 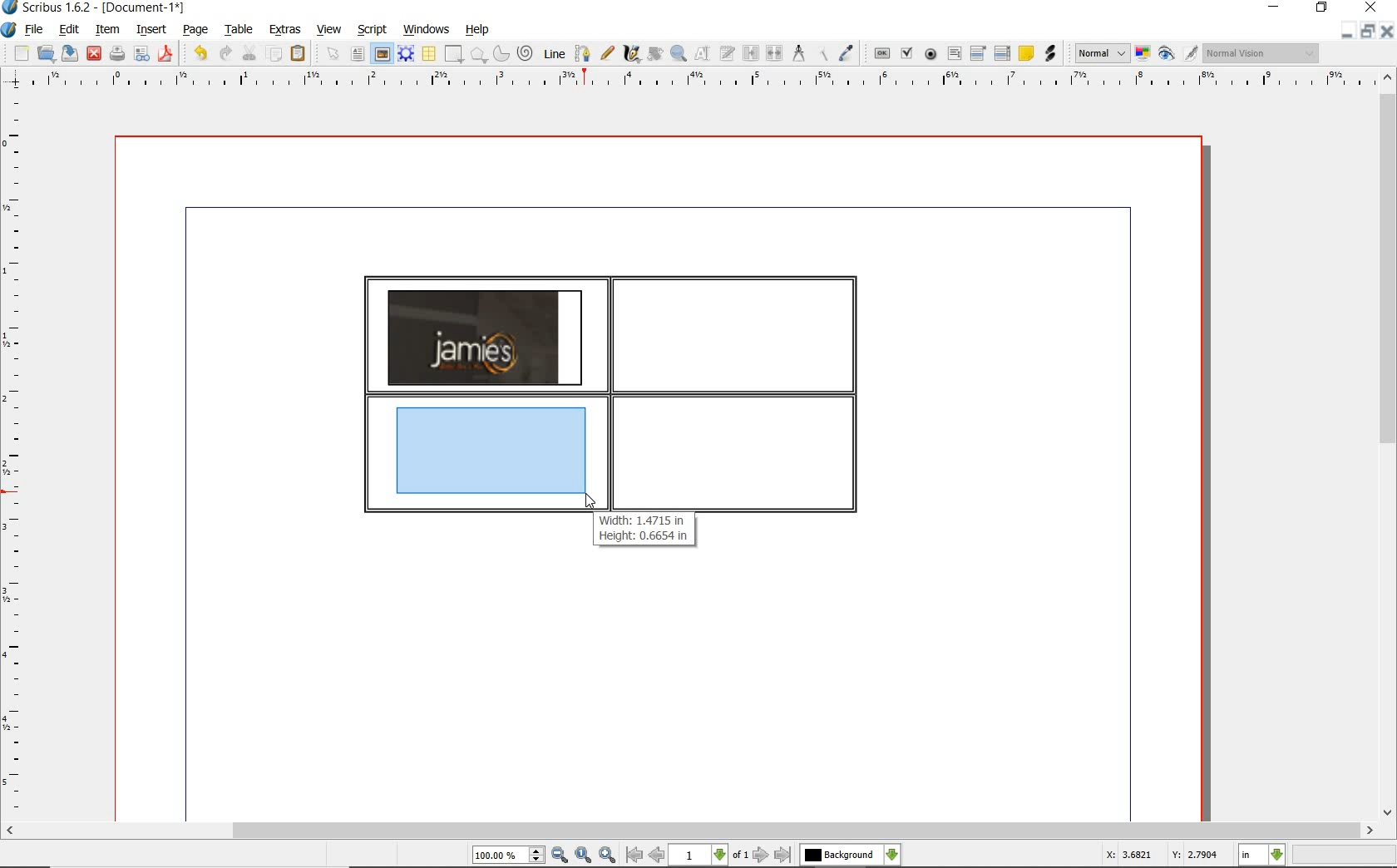 I want to click on image added, so click(x=485, y=337).